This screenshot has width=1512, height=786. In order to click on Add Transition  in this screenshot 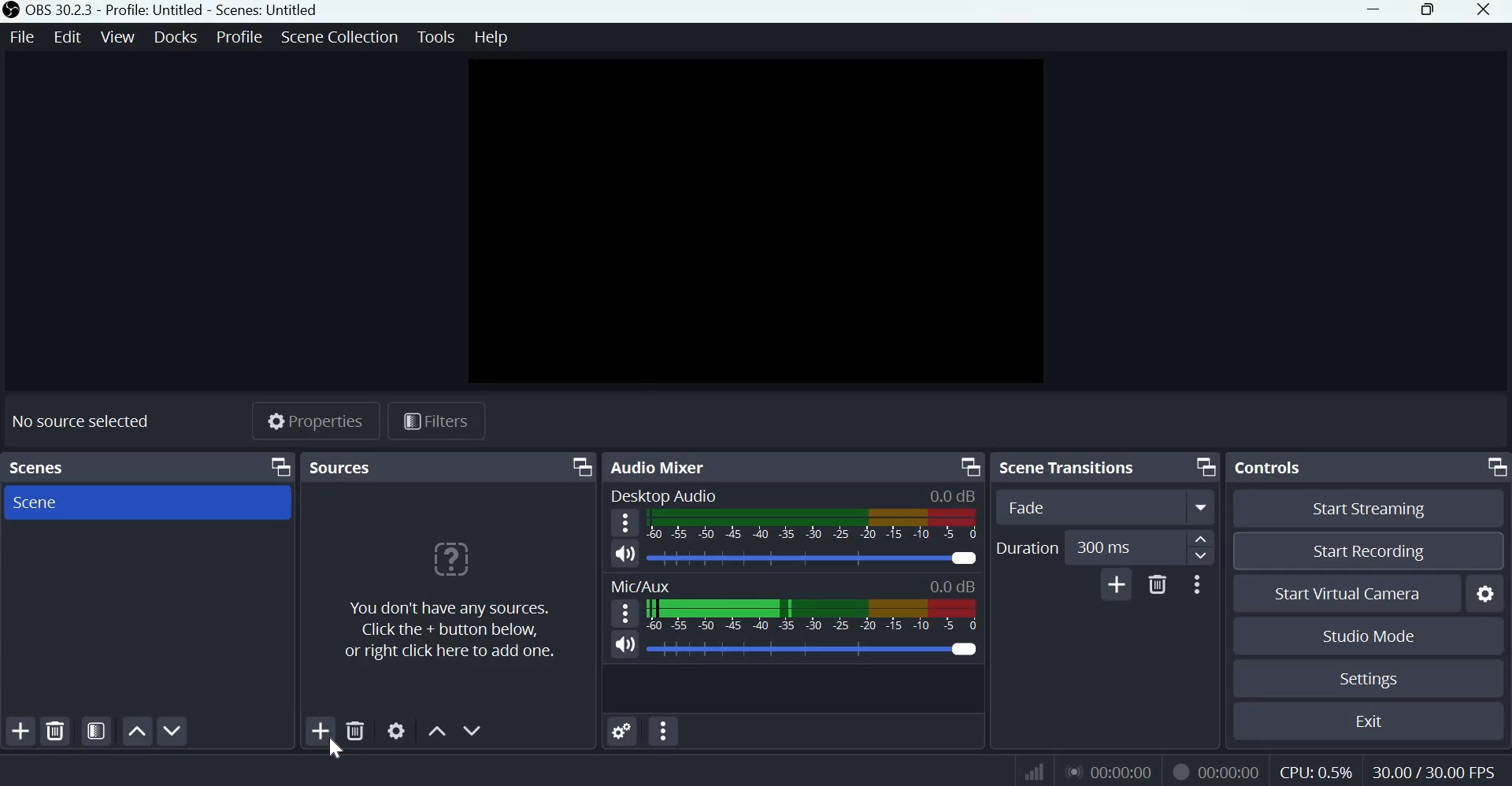, I will do `click(1117, 584)`.